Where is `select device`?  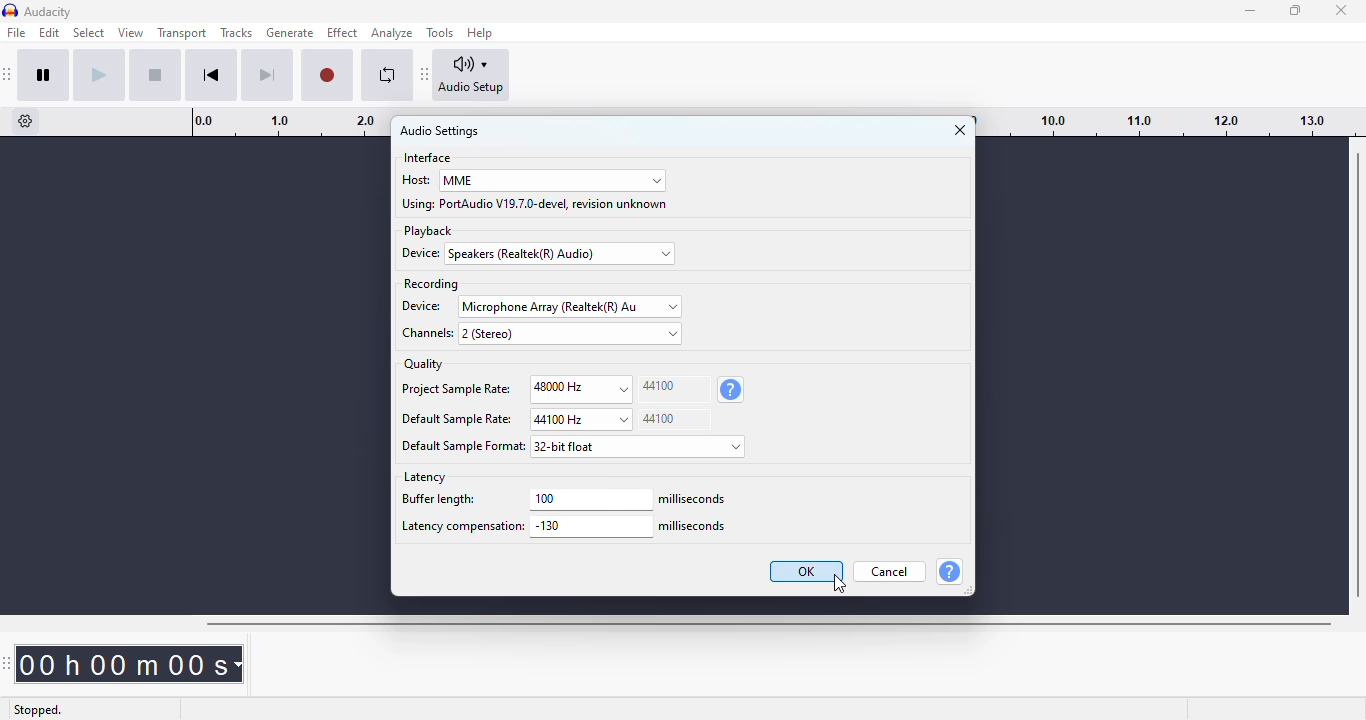
select device is located at coordinates (562, 254).